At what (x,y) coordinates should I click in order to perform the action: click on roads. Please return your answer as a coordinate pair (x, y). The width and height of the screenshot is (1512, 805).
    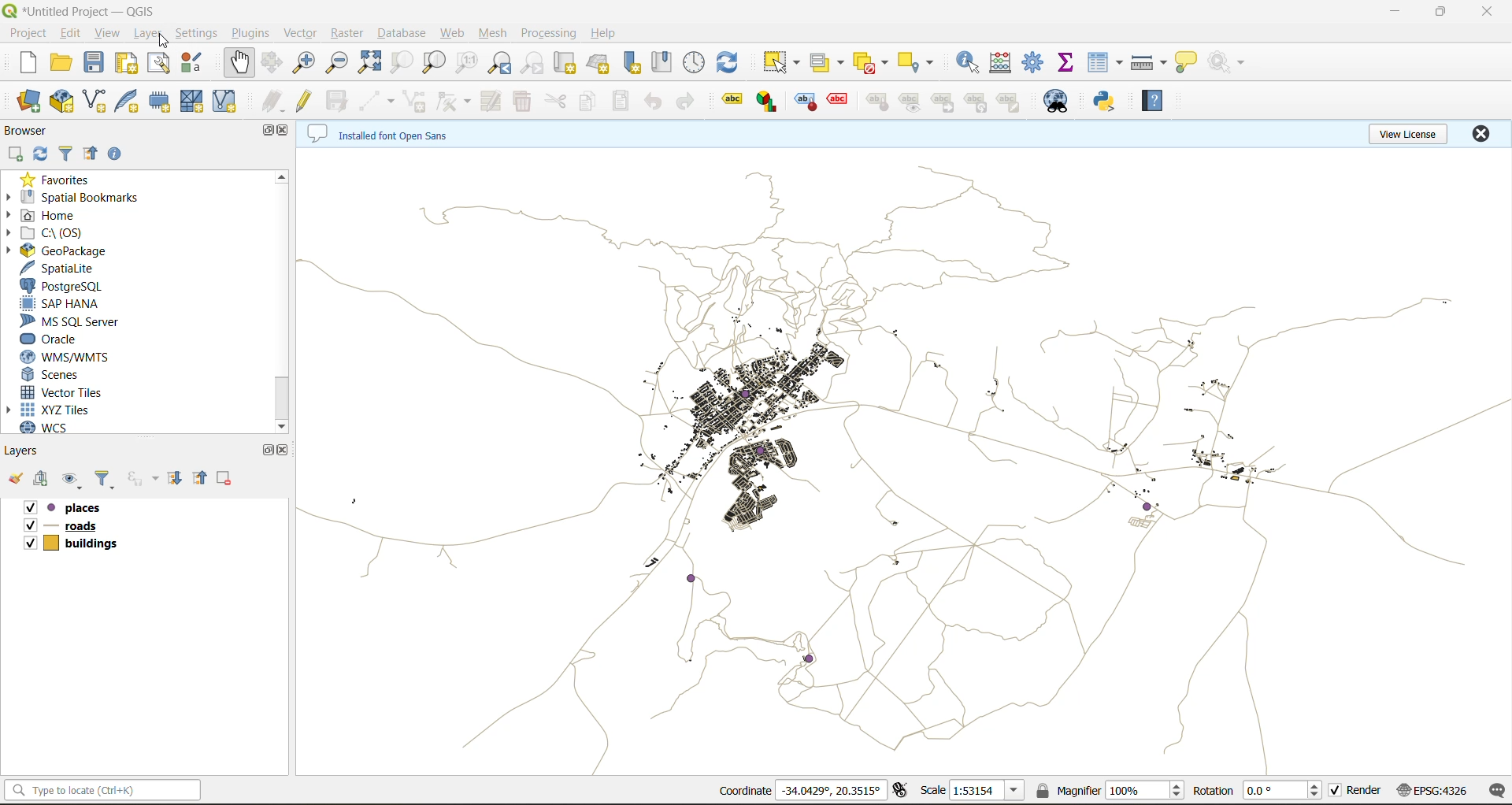
    Looking at the image, I should click on (62, 527).